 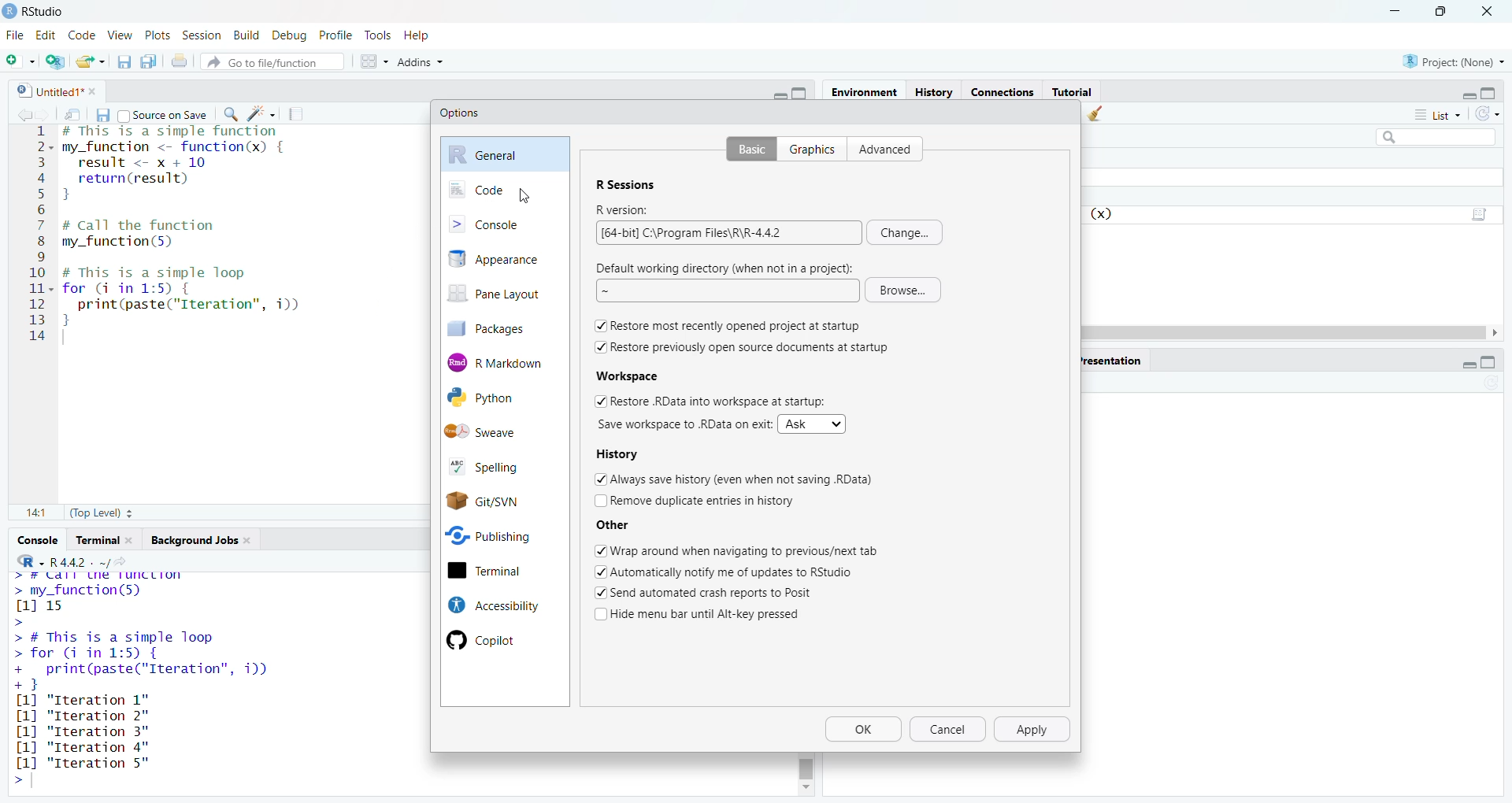 I want to click on Default working directory (when not in a project):, so click(x=728, y=267).